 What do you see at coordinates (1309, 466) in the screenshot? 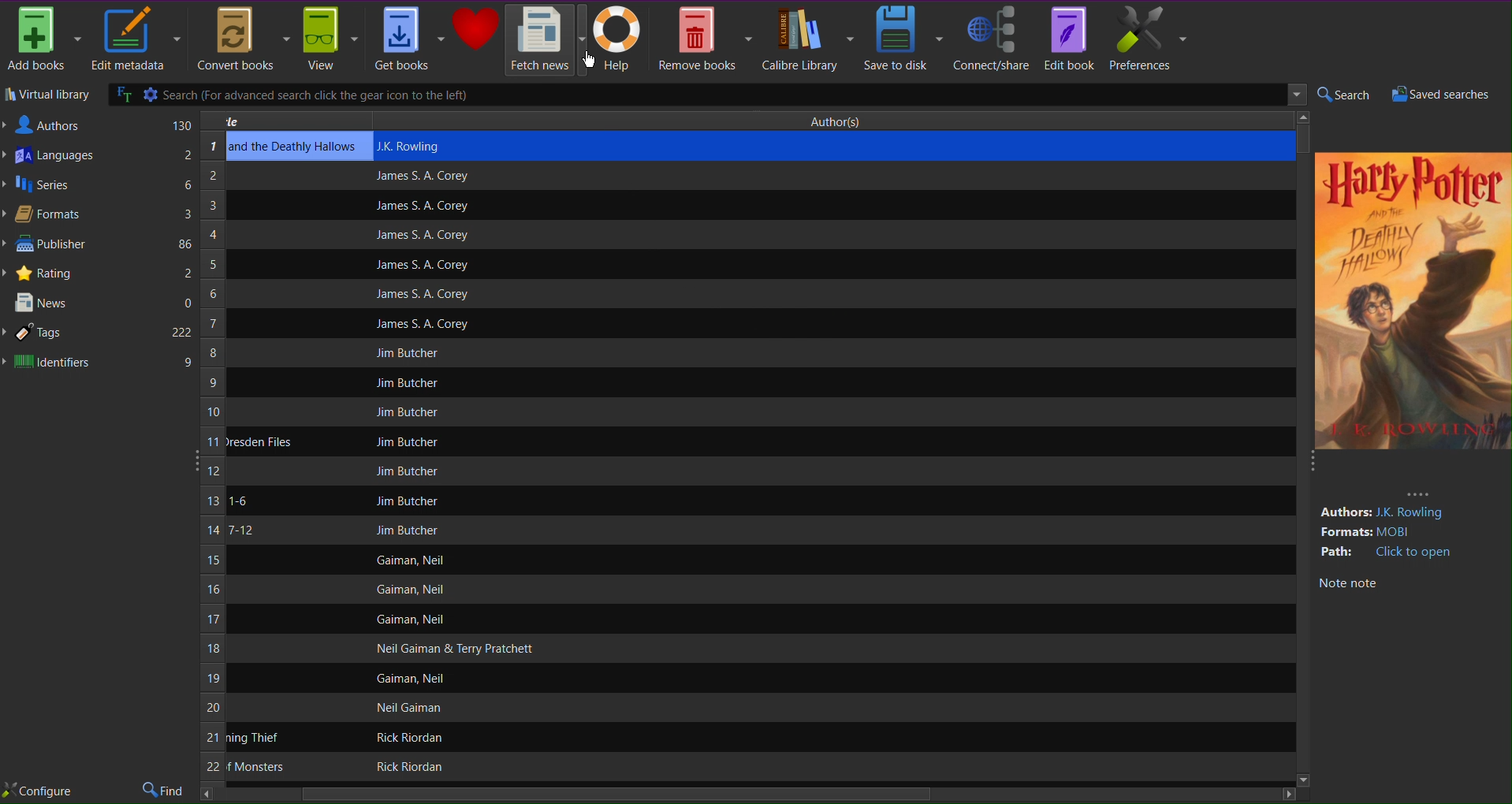
I see `close collapse` at bounding box center [1309, 466].